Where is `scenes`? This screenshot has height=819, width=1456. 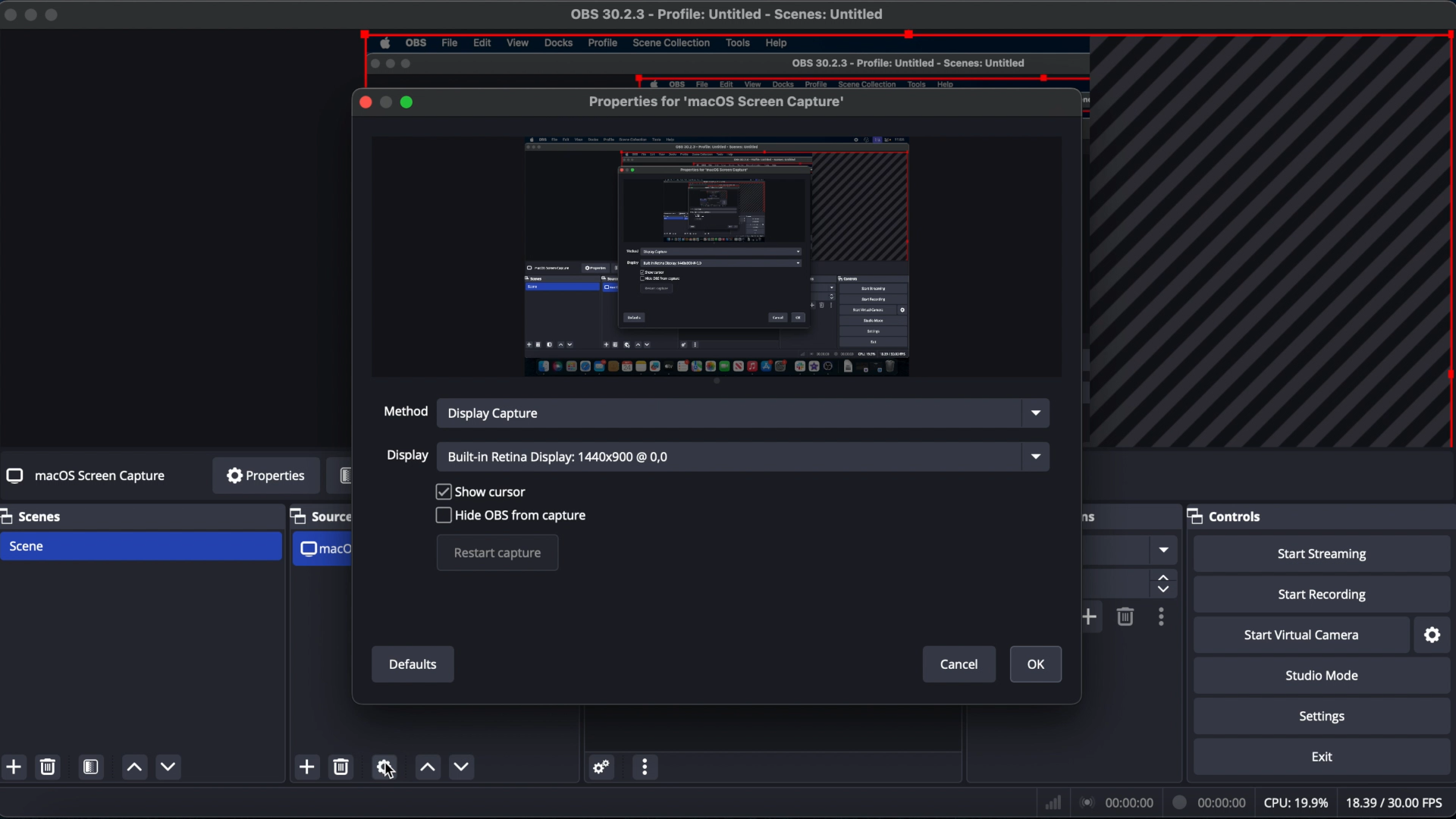
scenes is located at coordinates (36, 516).